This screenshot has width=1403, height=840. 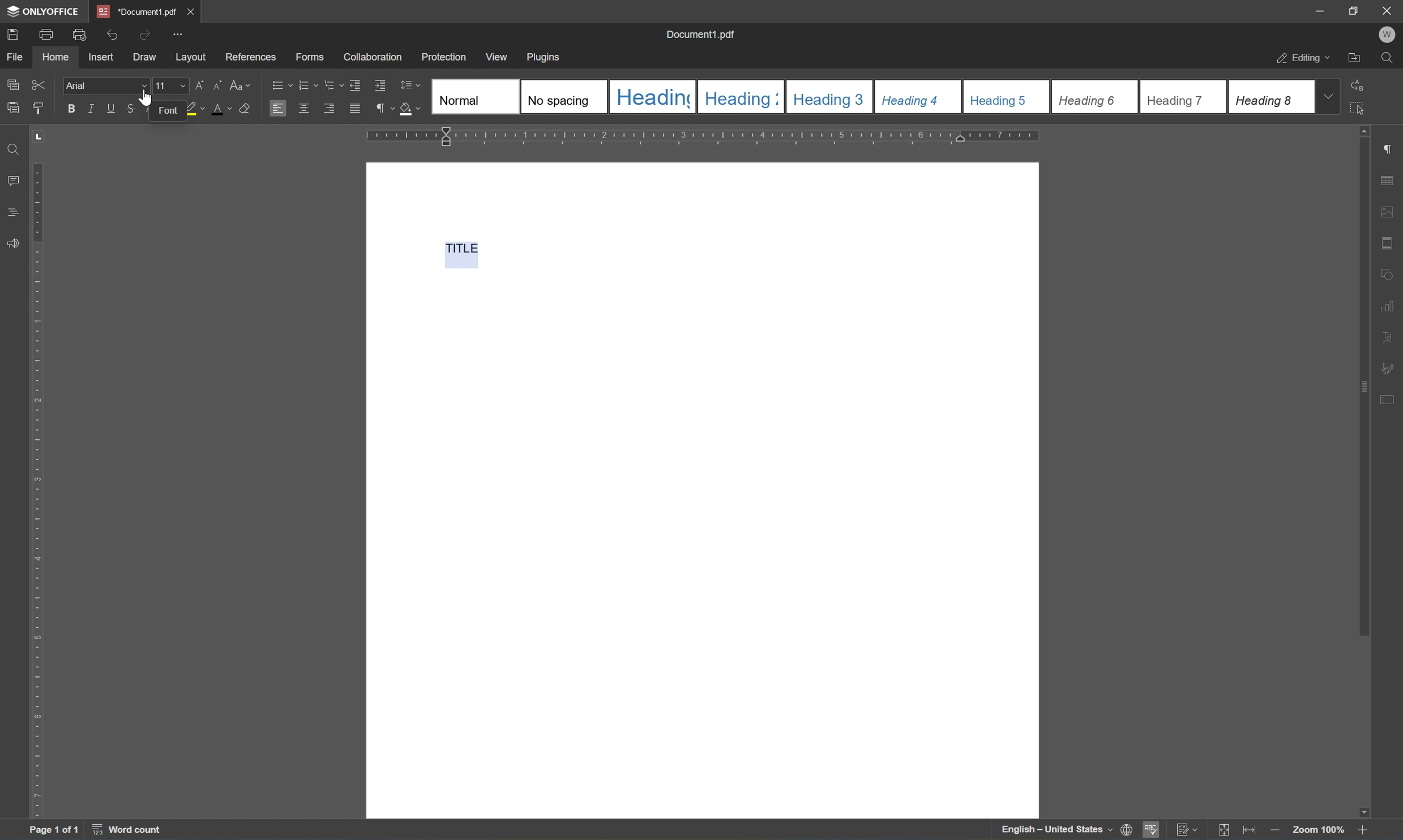 What do you see at coordinates (180, 33) in the screenshot?
I see `customize quick access toolbar` at bounding box center [180, 33].